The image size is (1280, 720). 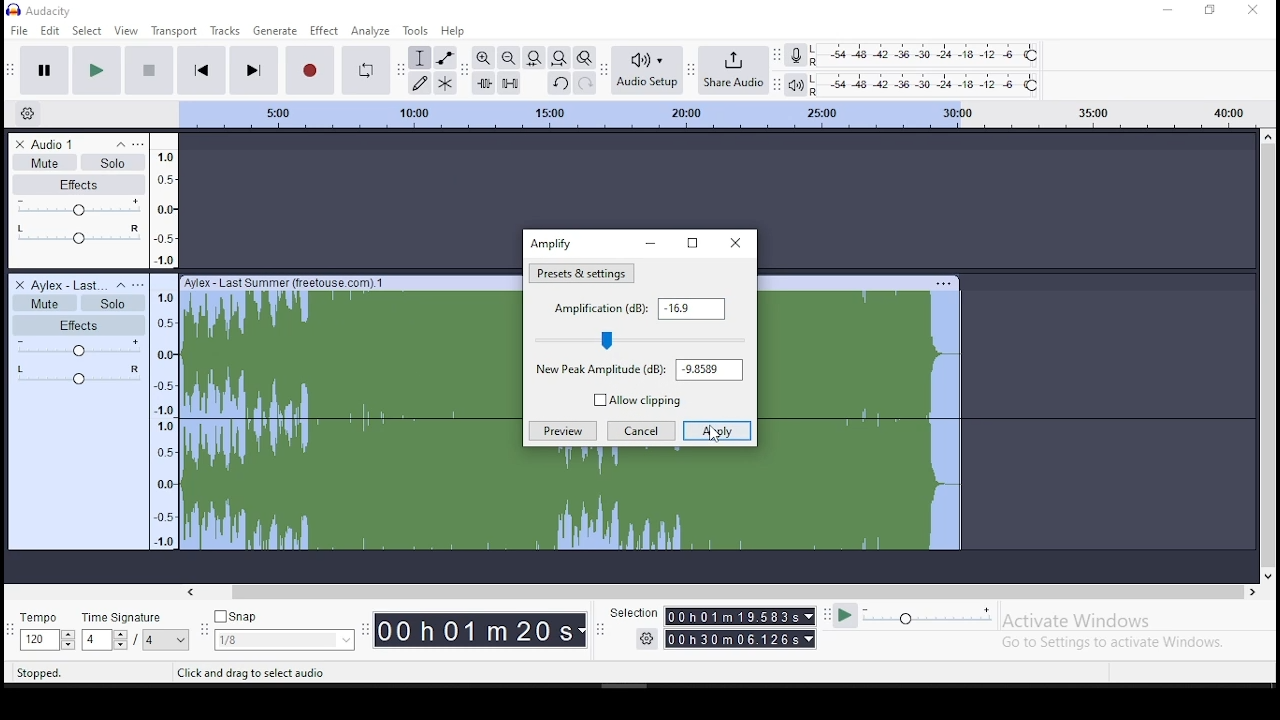 I want to click on fit selection to width, so click(x=533, y=57).